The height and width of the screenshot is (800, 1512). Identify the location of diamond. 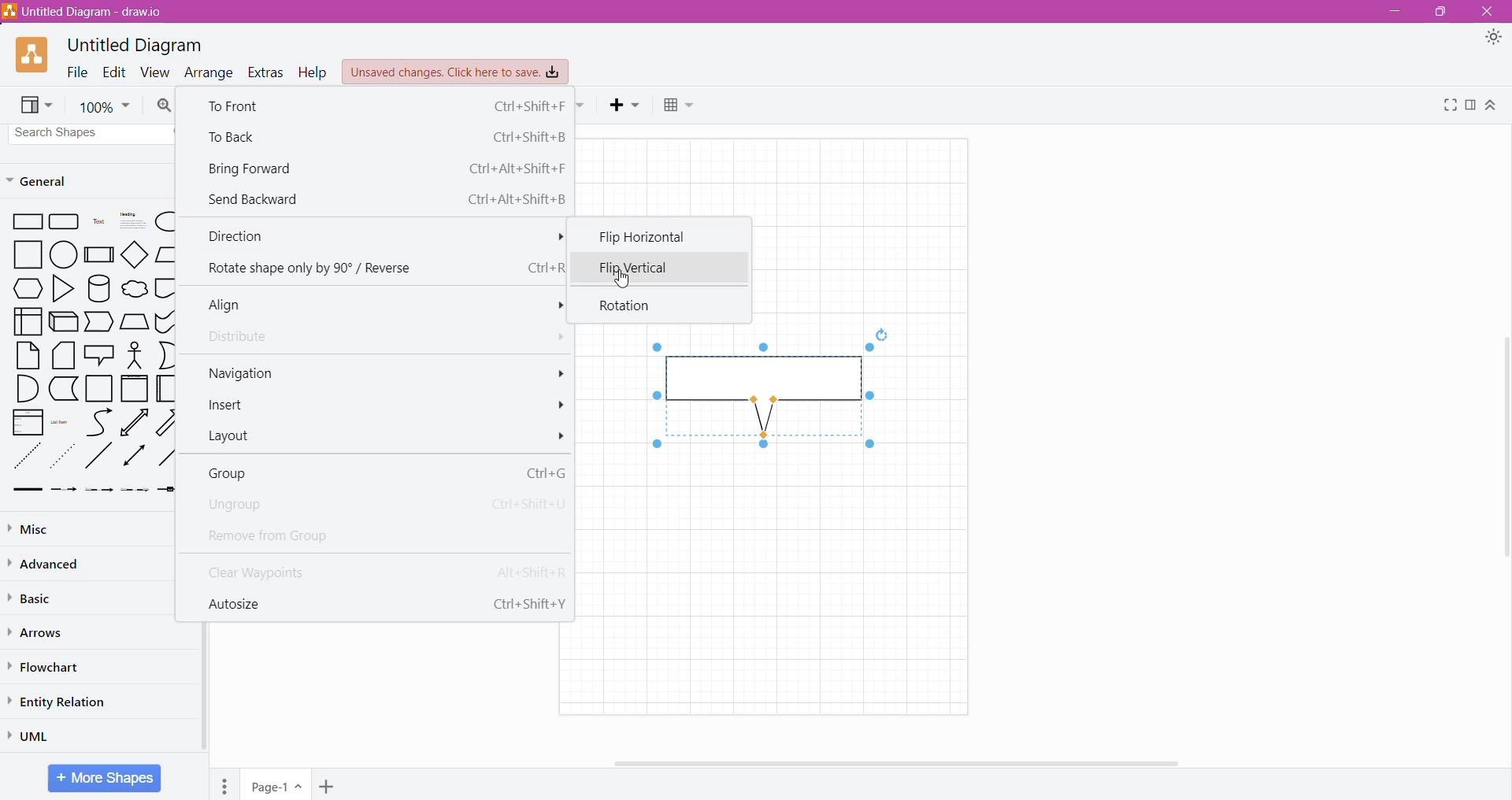
(134, 254).